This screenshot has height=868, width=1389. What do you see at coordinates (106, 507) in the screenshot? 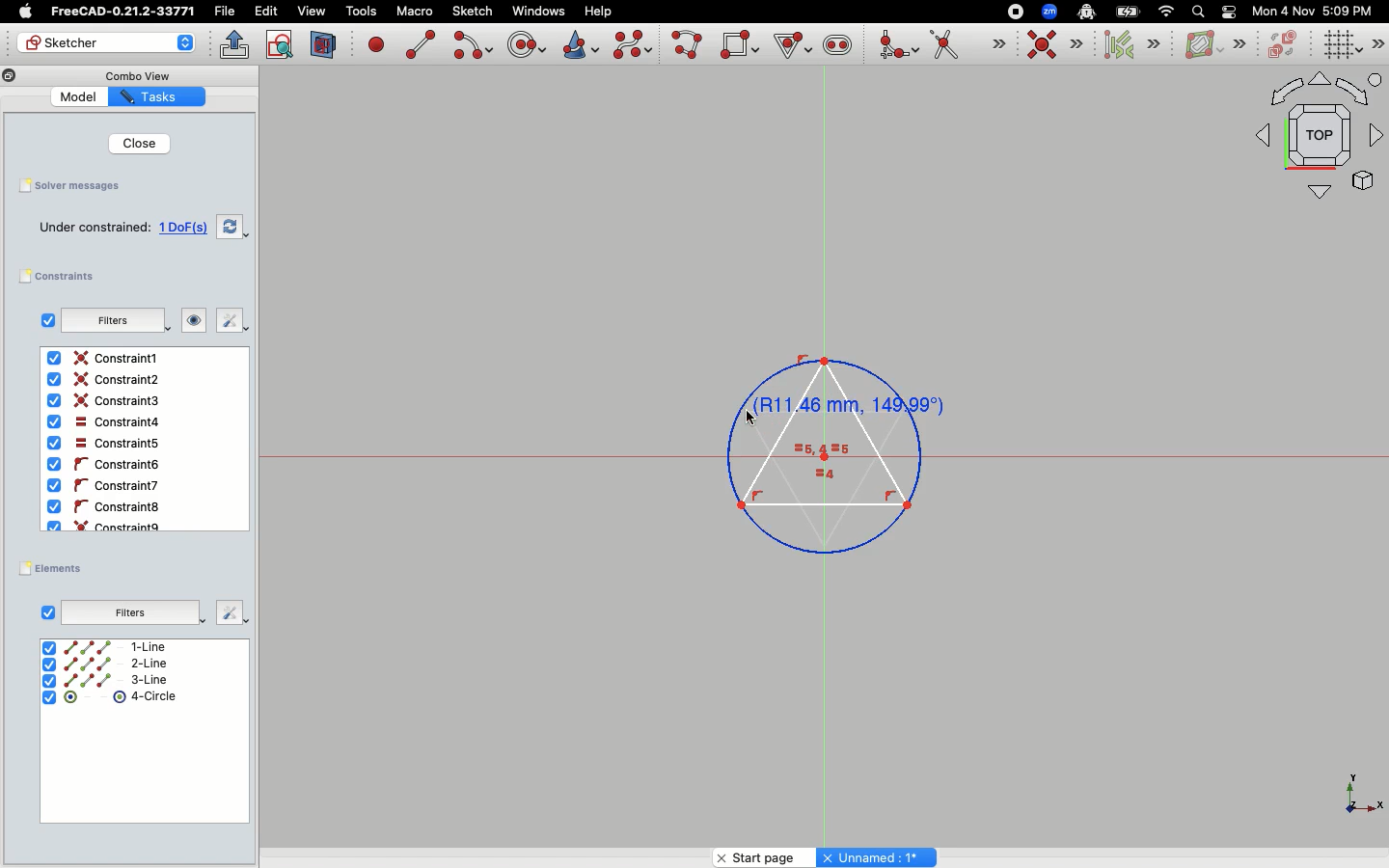
I see `Constraint8` at bounding box center [106, 507].